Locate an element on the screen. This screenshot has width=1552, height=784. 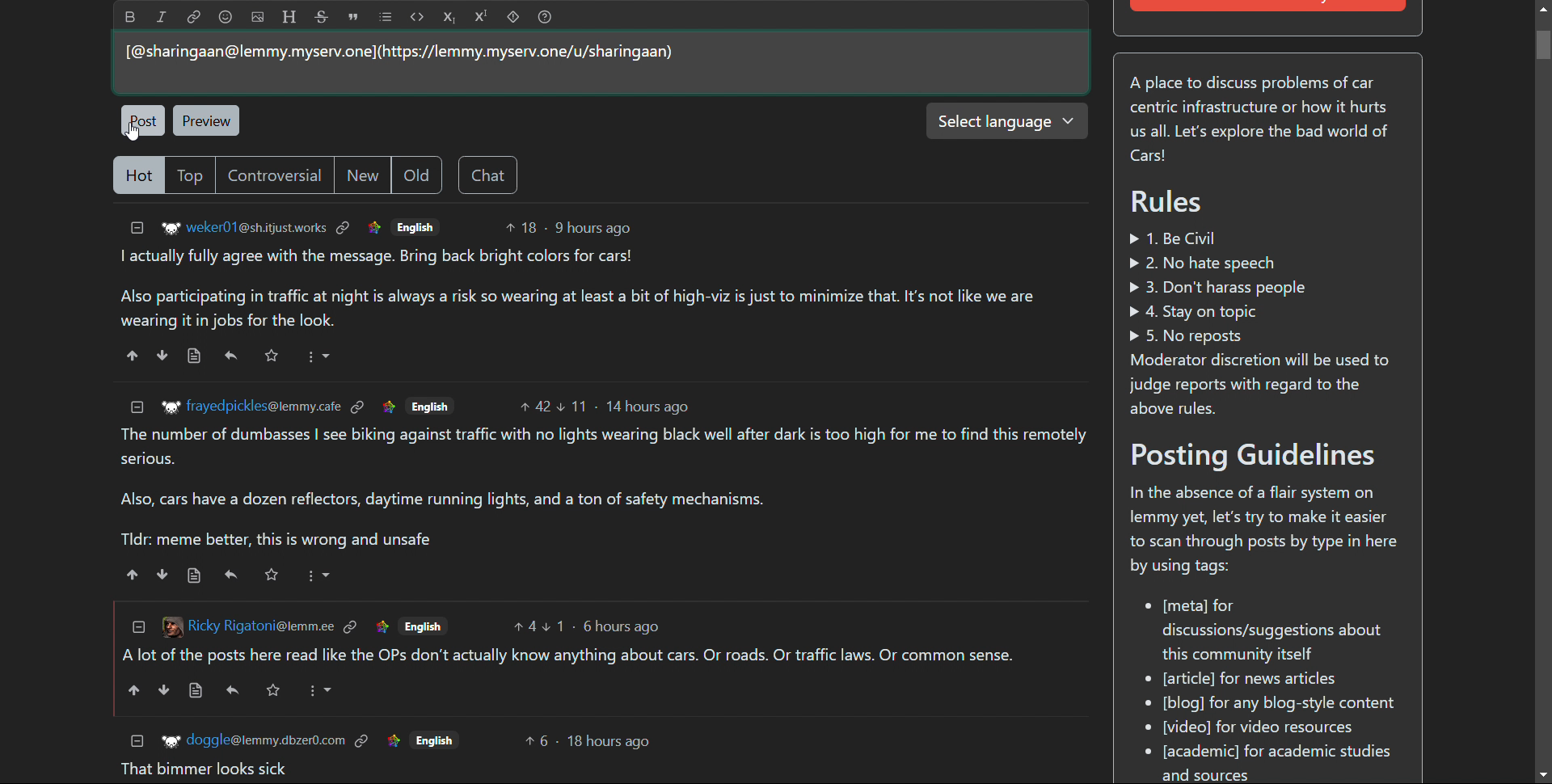
upvotes 18 is located at coordinates (521, 227).